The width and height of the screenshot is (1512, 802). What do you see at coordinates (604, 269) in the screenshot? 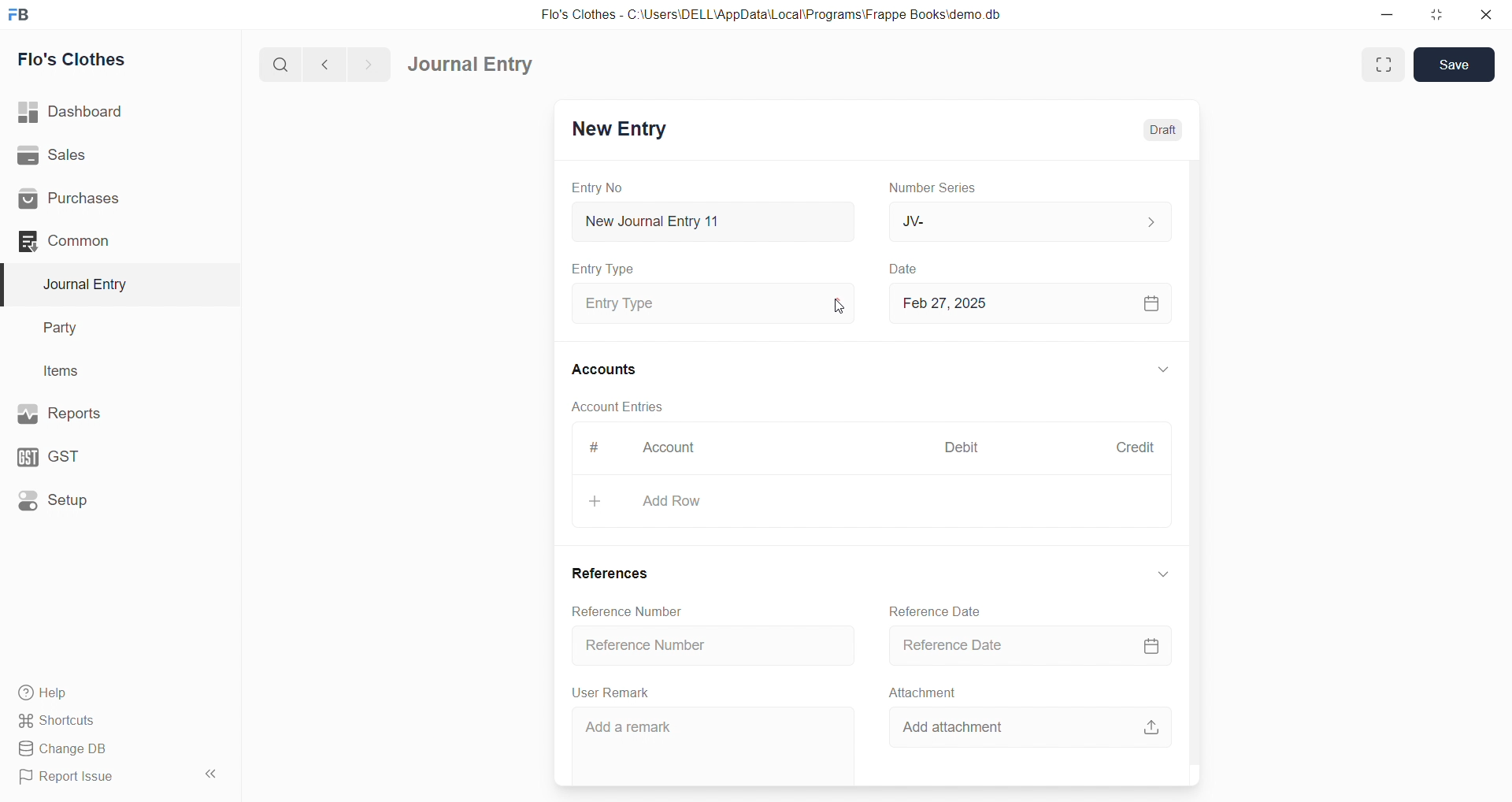
I see `Entry Type` at bounding box center [604, 269].